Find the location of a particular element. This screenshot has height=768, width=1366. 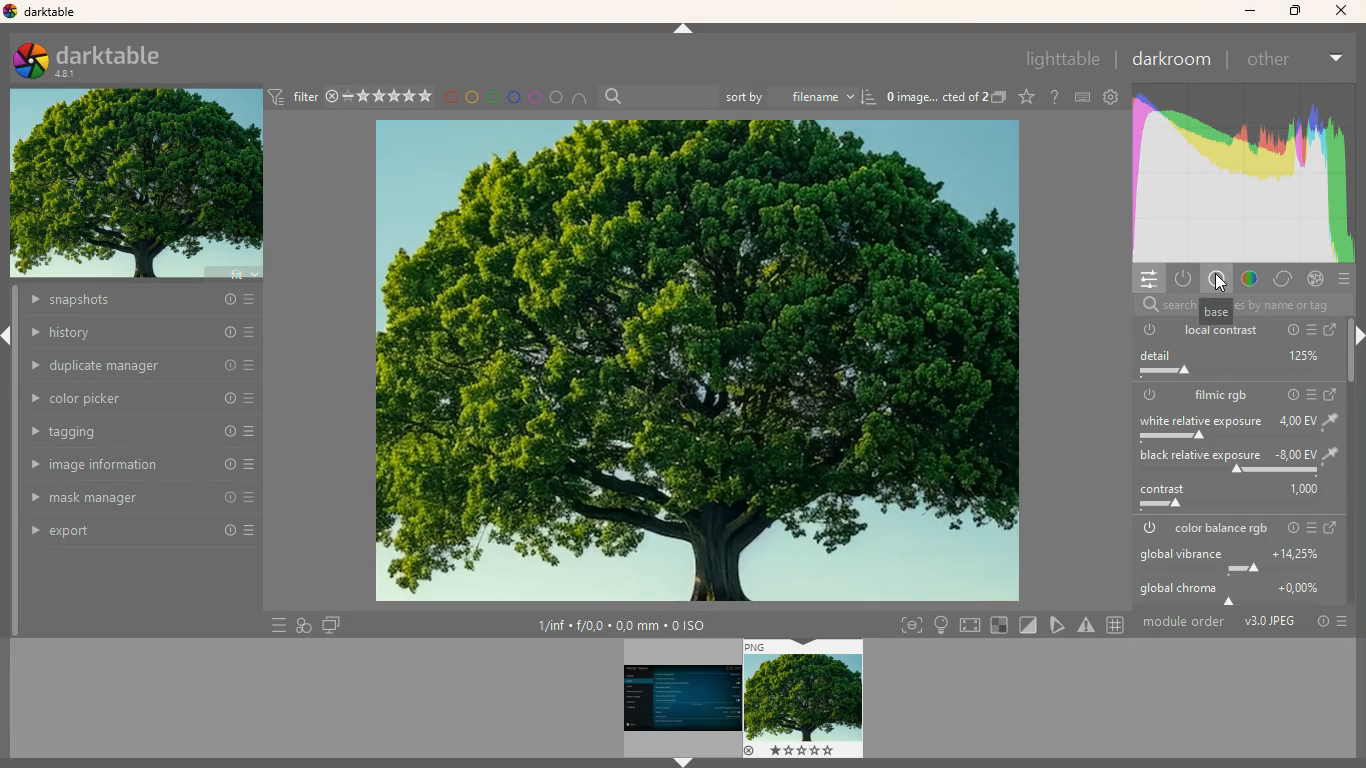

history is located at coordinates (143, 332).